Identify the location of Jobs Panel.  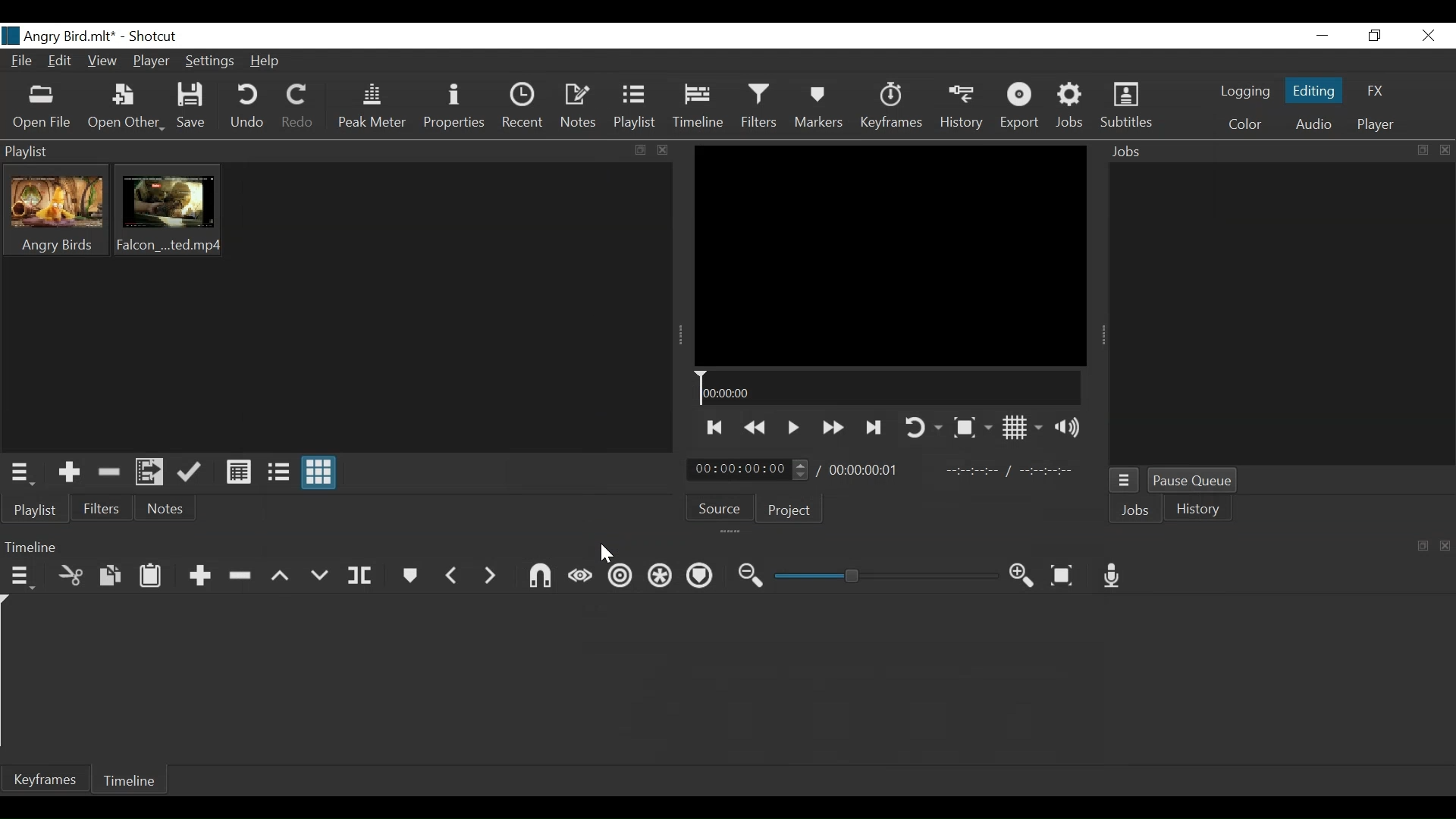
(1279, 151).